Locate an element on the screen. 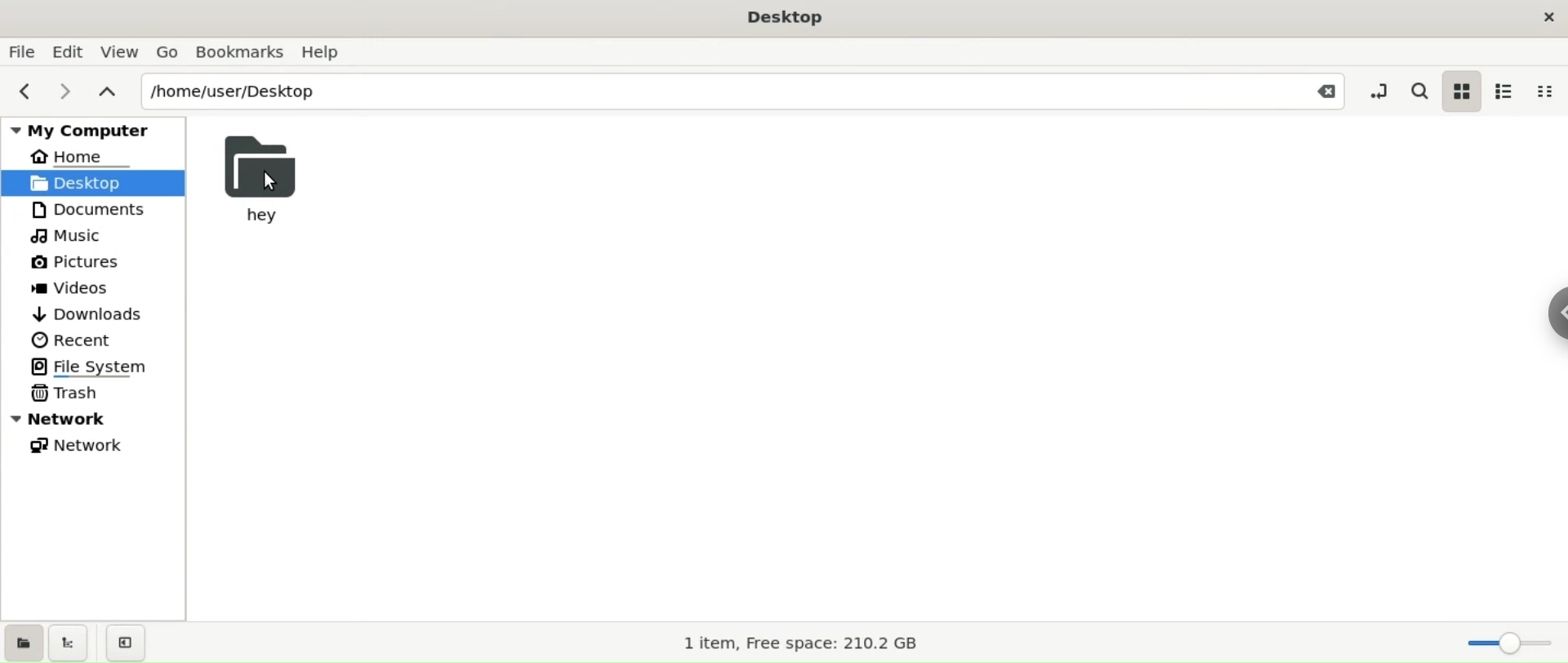 Image resolution: width=1568 pixels, height=663 pixels. Videos is located at coordinates (82, 289).